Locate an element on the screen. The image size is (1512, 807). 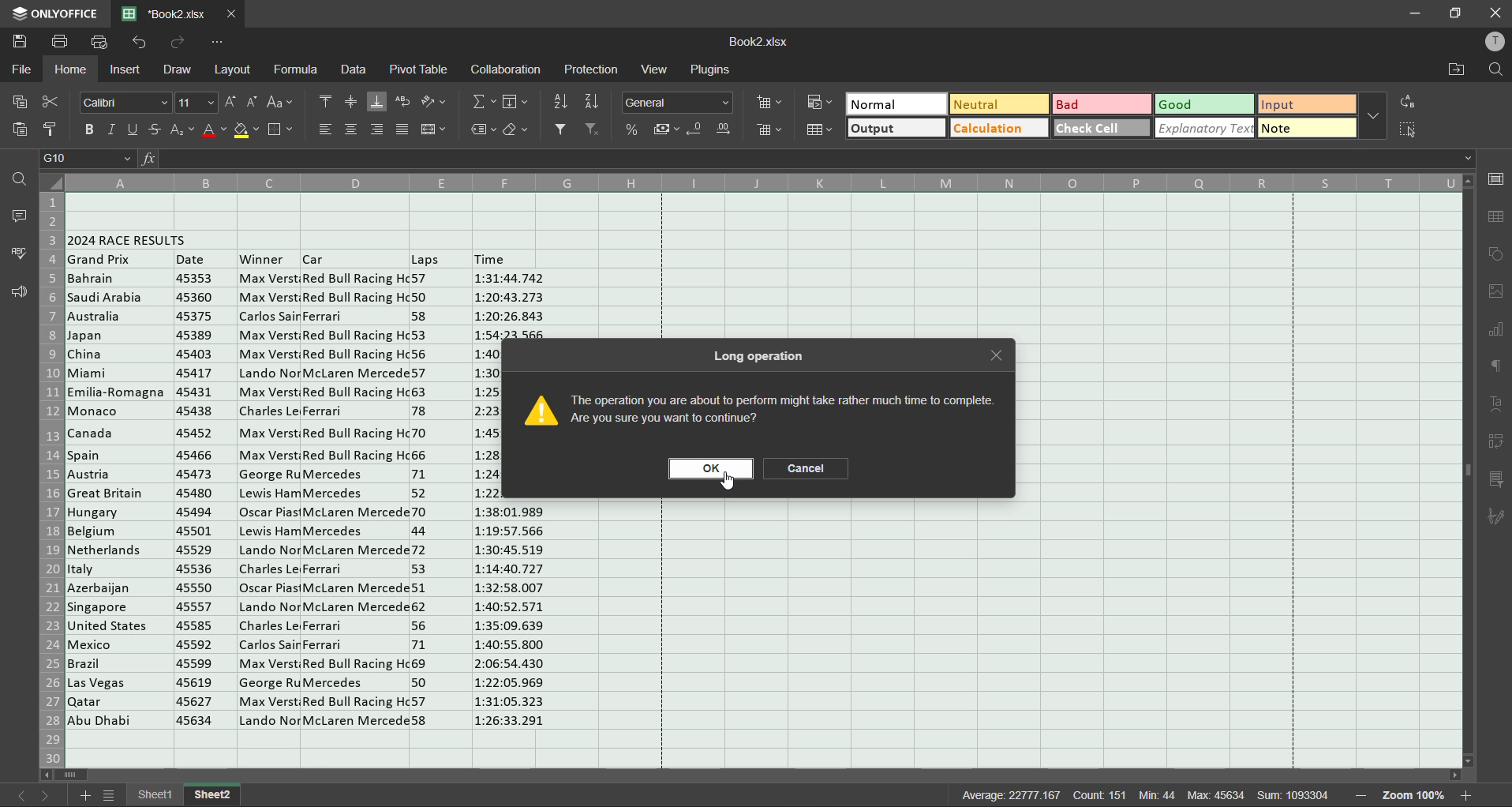
zoom factor is located at coordinates (1415, 795).